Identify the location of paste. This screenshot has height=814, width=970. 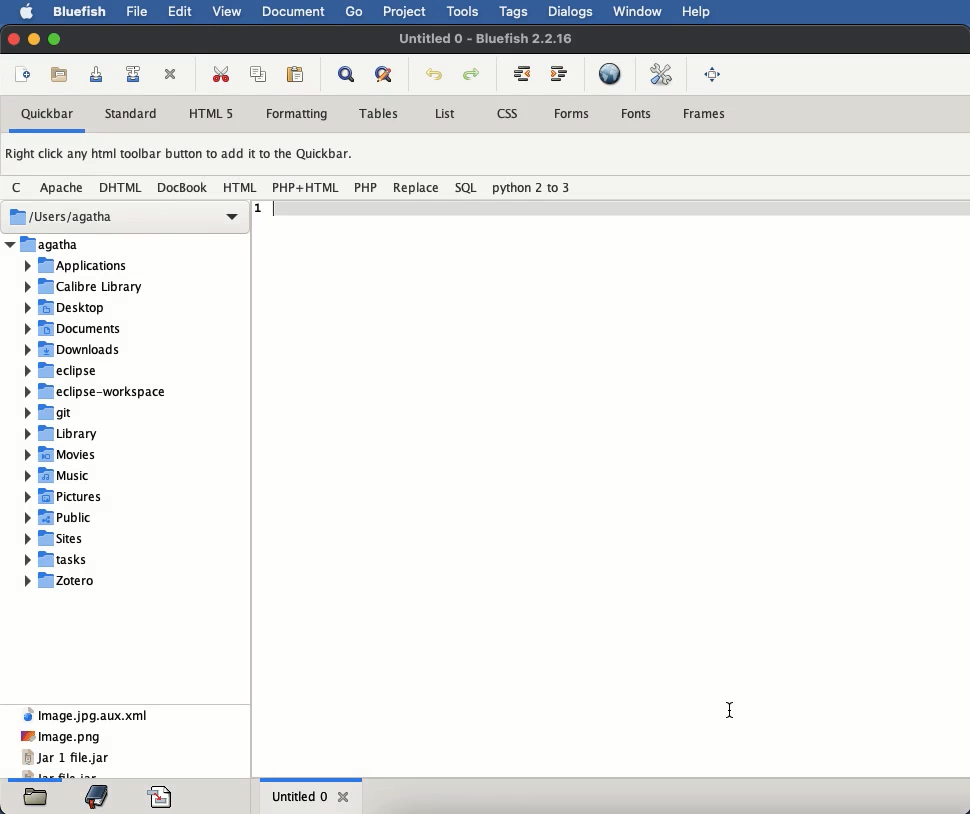
(296, 76).